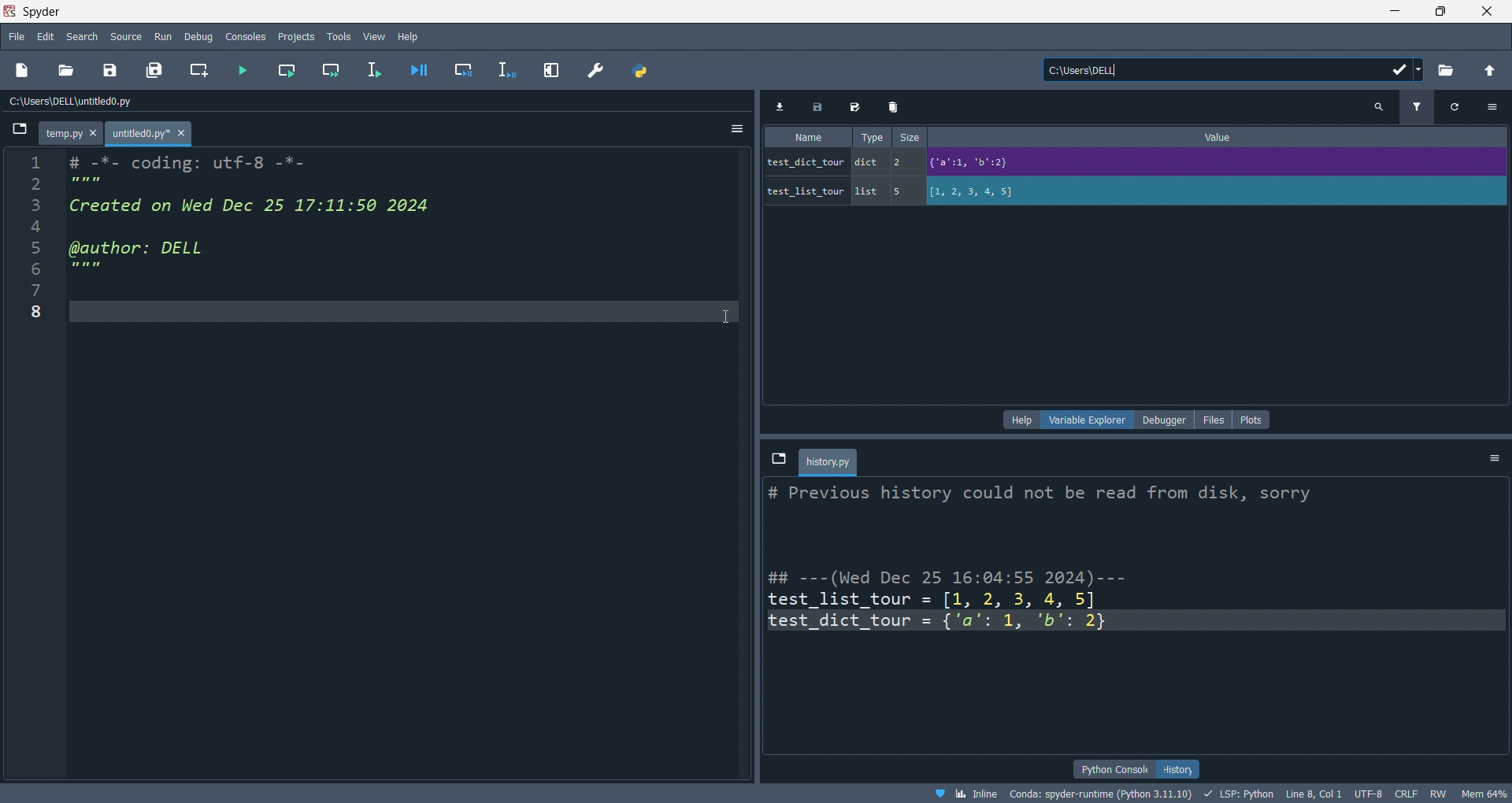  What do you see at coordinates (1223, 137) in the screenshot?
I see `value` at bounding box center [1223, 137].